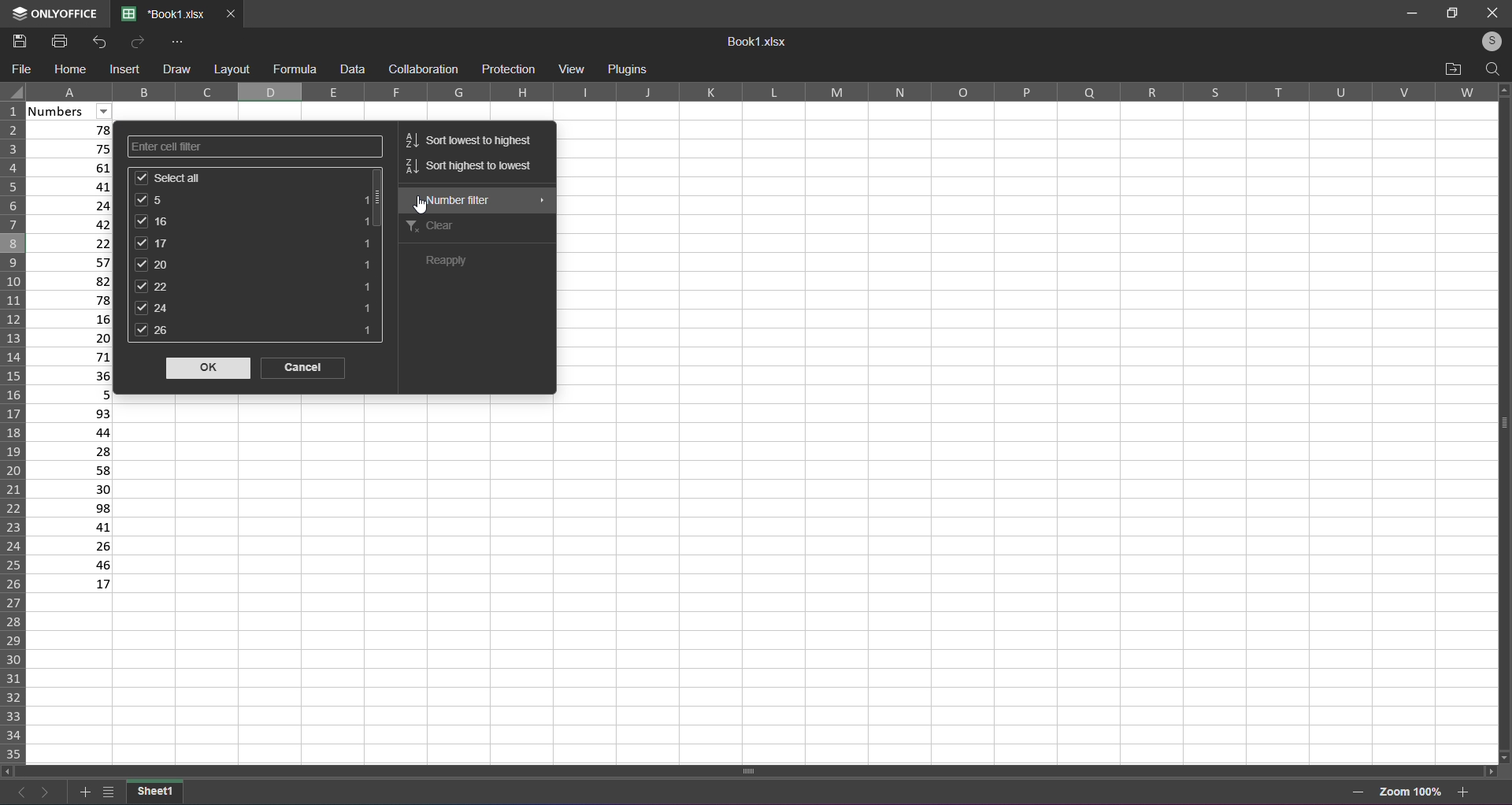 This screenshot has height=805, width=1512. I want to click on reapply, so click(461, 262).